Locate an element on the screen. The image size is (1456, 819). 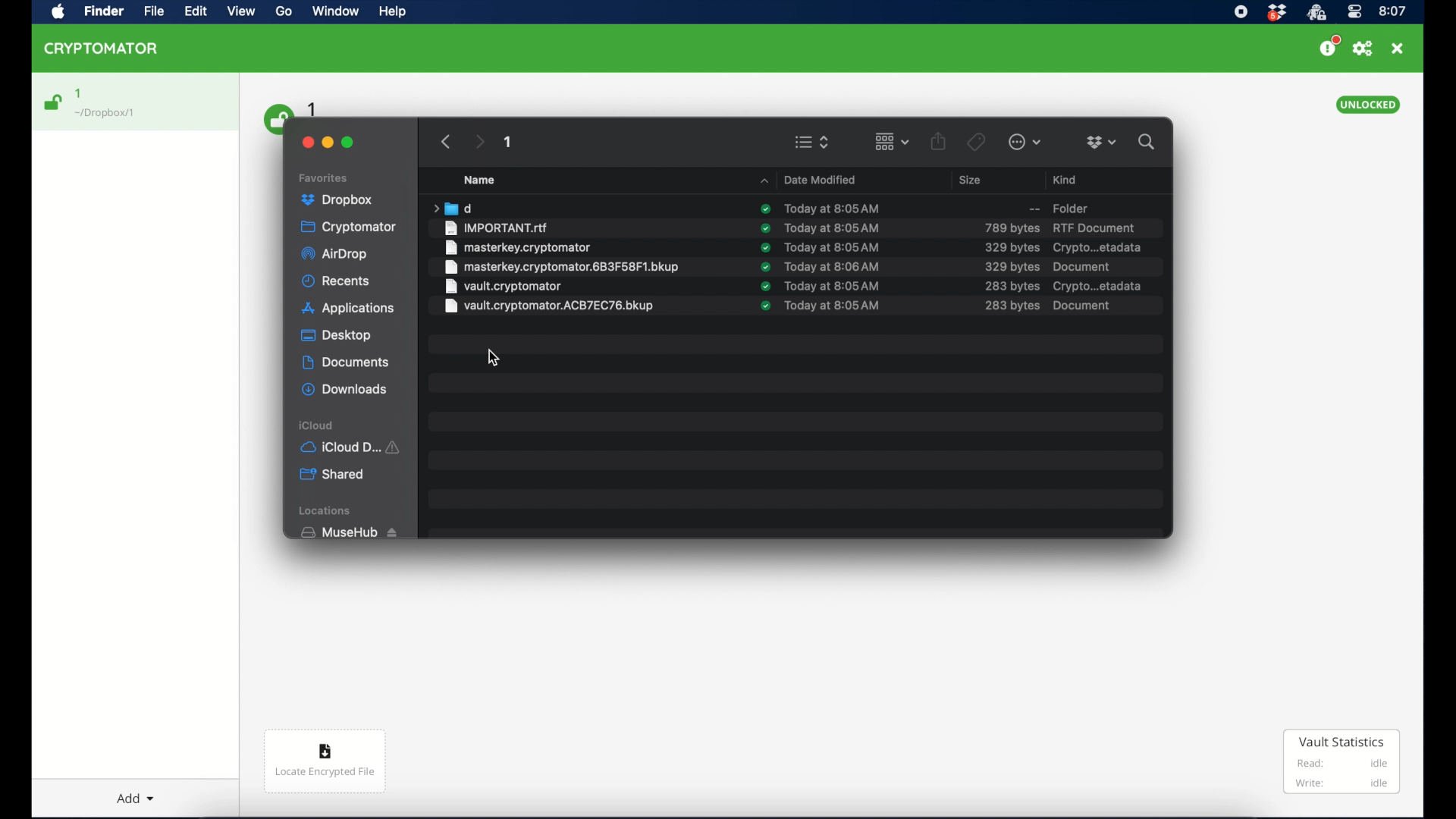
time is located at coordinates (1393, 11).